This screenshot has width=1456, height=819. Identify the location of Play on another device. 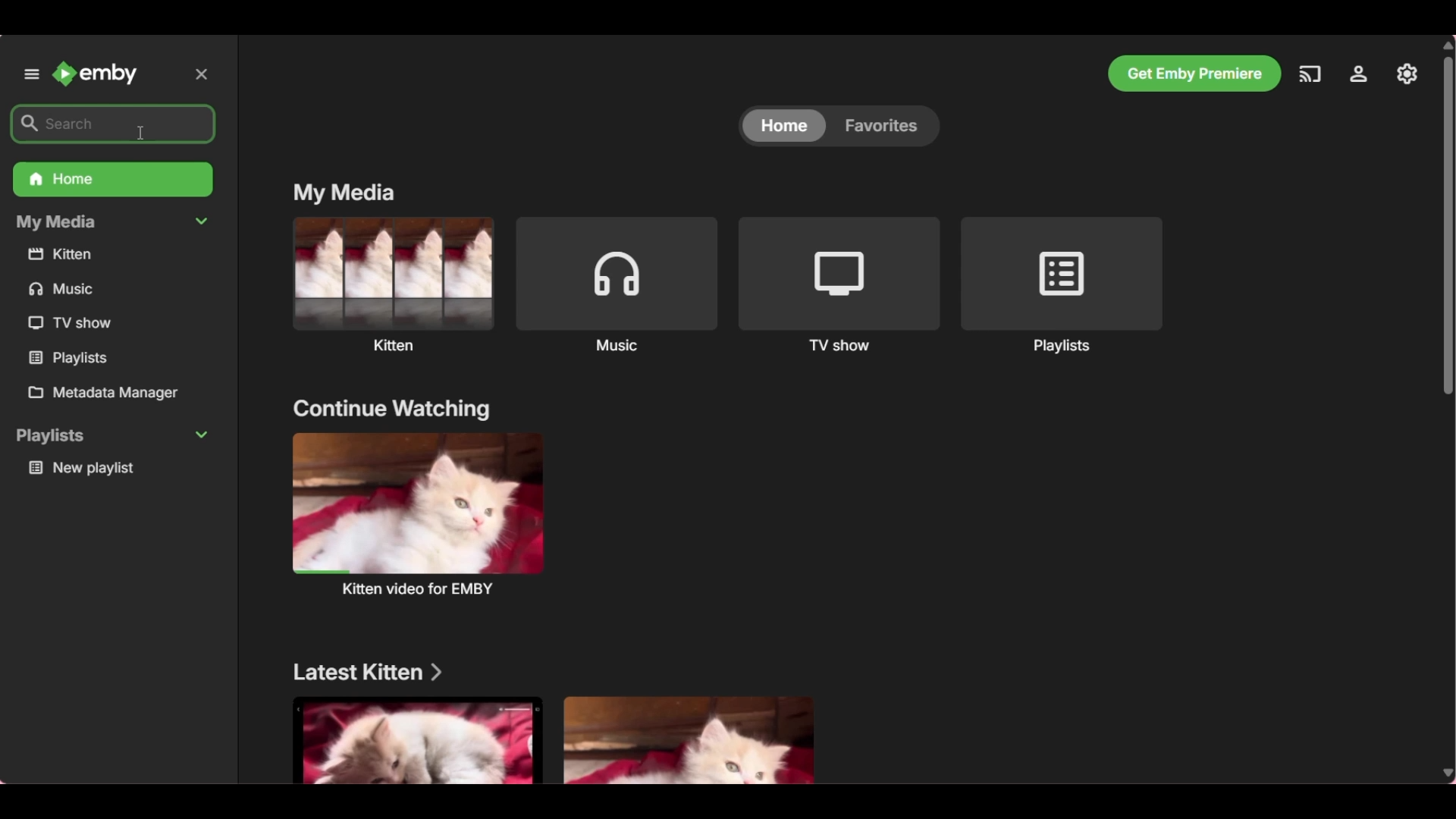
(1309, 74).